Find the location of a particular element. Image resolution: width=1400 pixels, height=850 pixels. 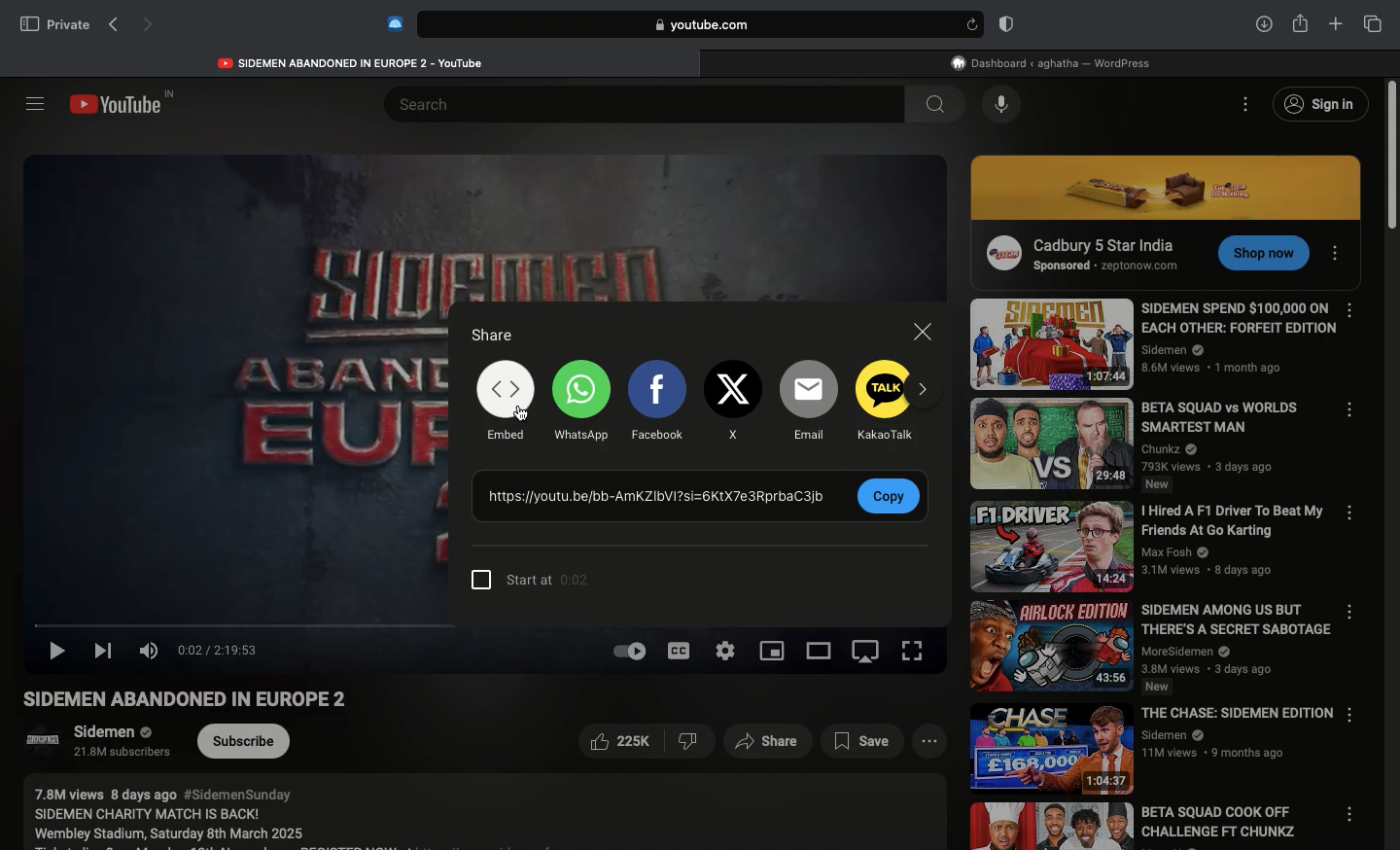

Sidebar is located at coordinates (34, 103).